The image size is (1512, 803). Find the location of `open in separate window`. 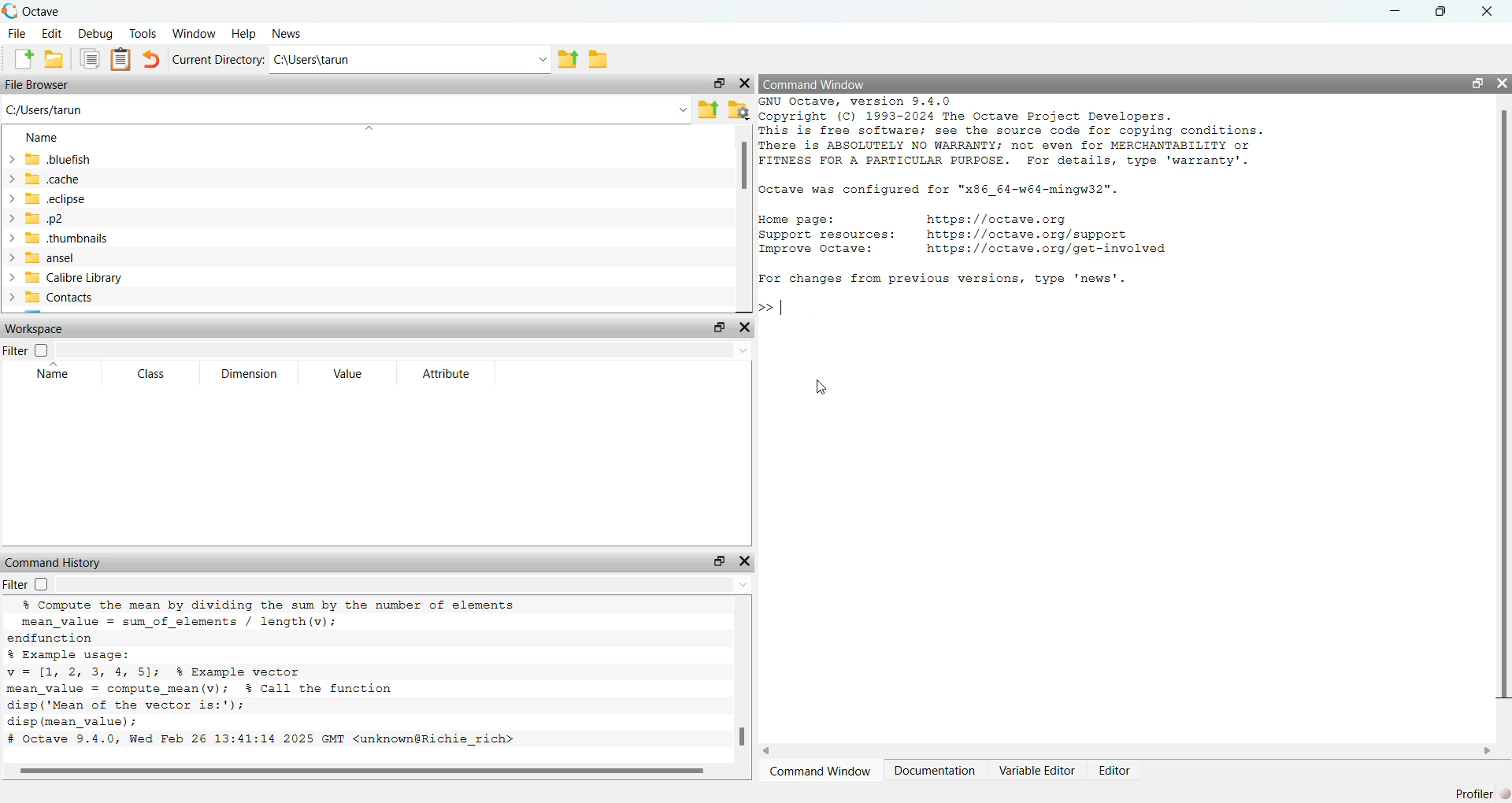

open in separate window is located at coordinates (721, 561).